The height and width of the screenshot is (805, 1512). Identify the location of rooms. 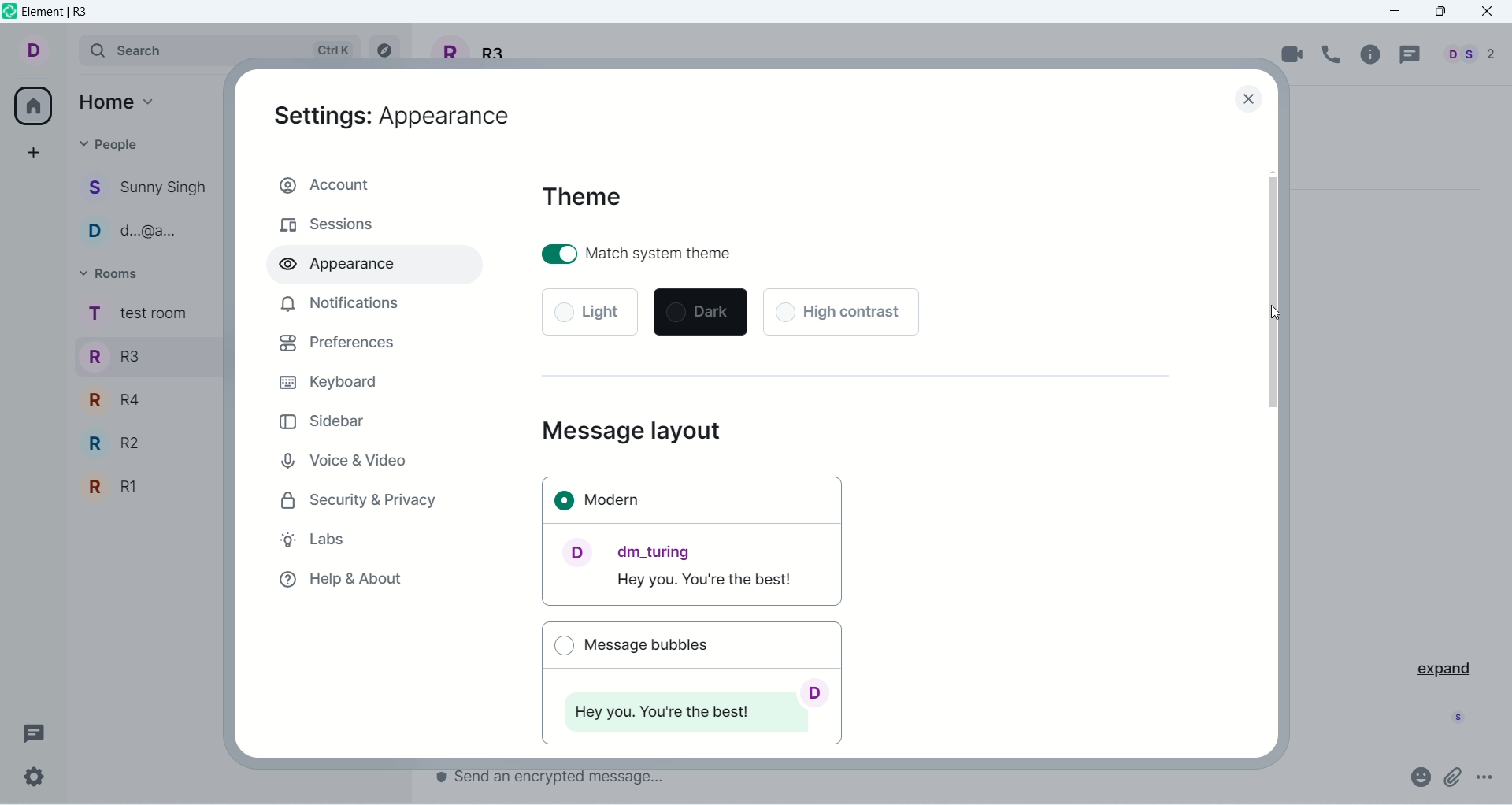
(135, 315).